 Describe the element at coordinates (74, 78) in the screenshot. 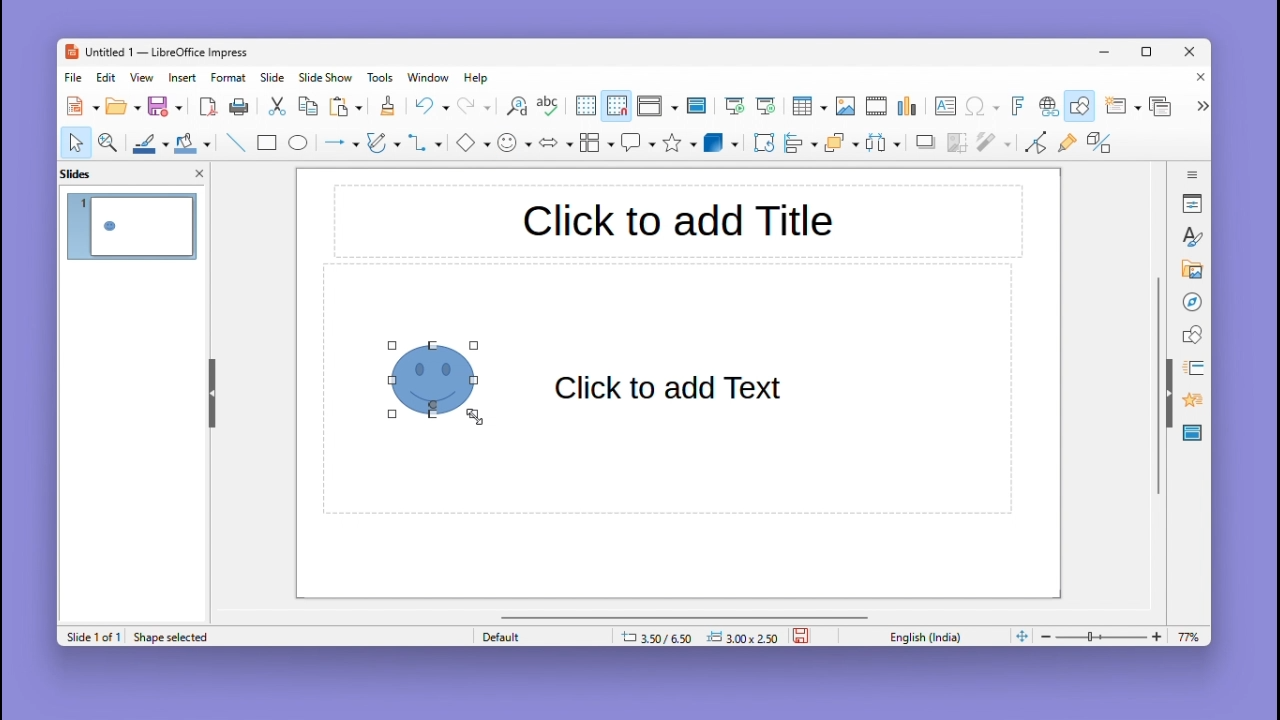

I see `File` at that location.